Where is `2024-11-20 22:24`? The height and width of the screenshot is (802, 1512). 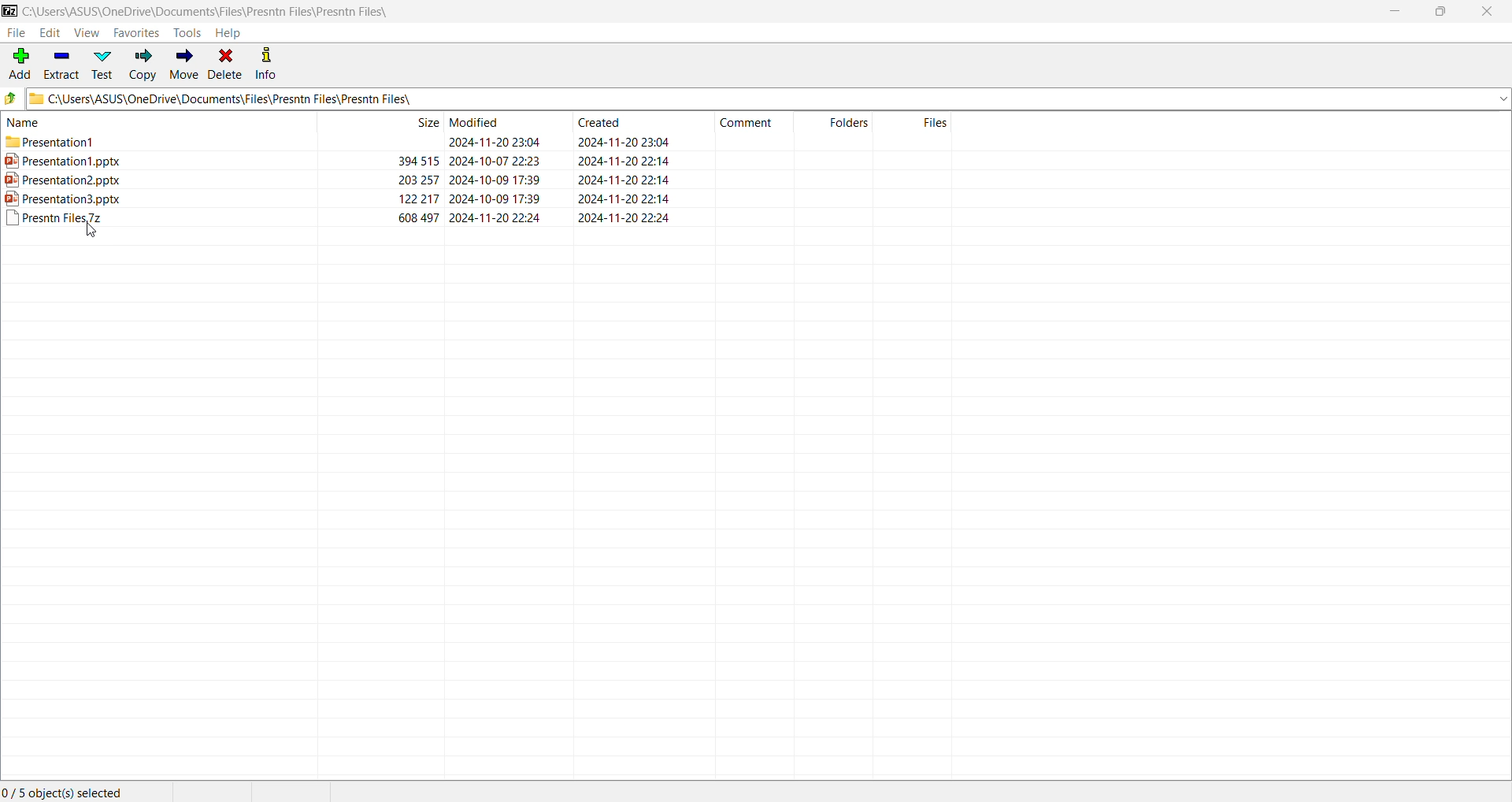
2024-11-20 22:24 is located at coordinates (494, 218).